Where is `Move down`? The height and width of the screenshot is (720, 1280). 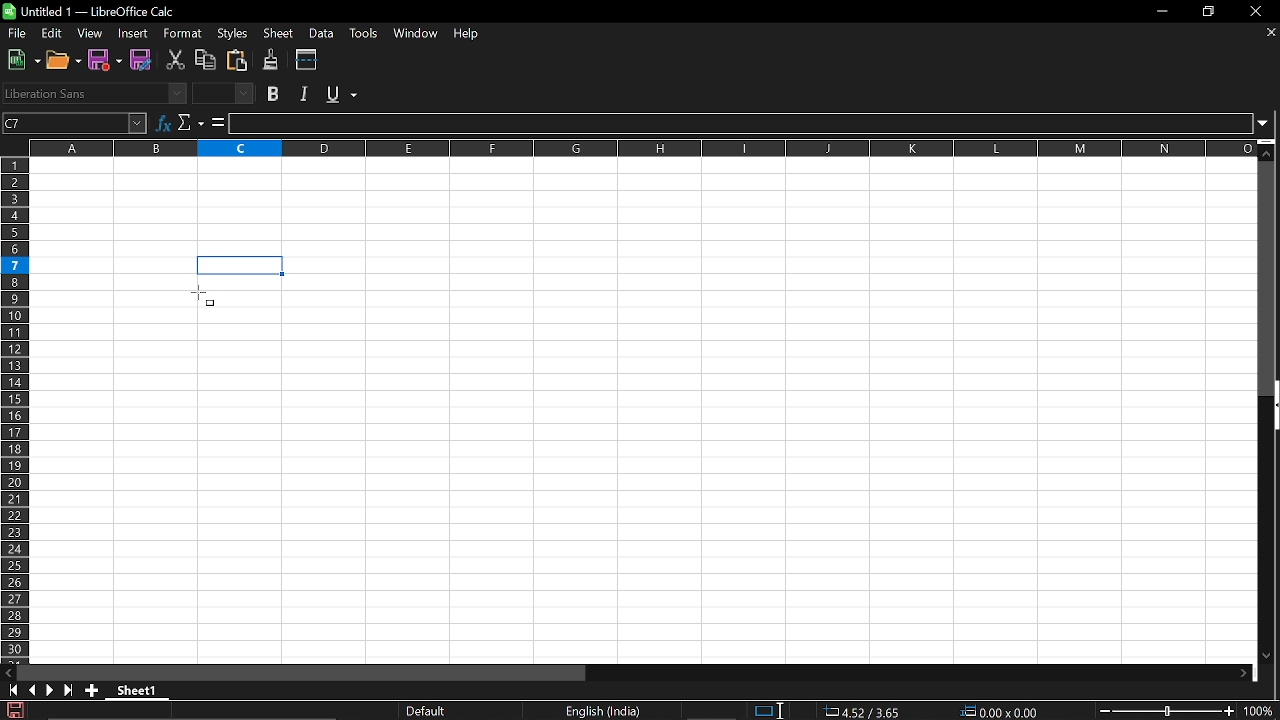
Move down is located at coordinates (1269, 149).